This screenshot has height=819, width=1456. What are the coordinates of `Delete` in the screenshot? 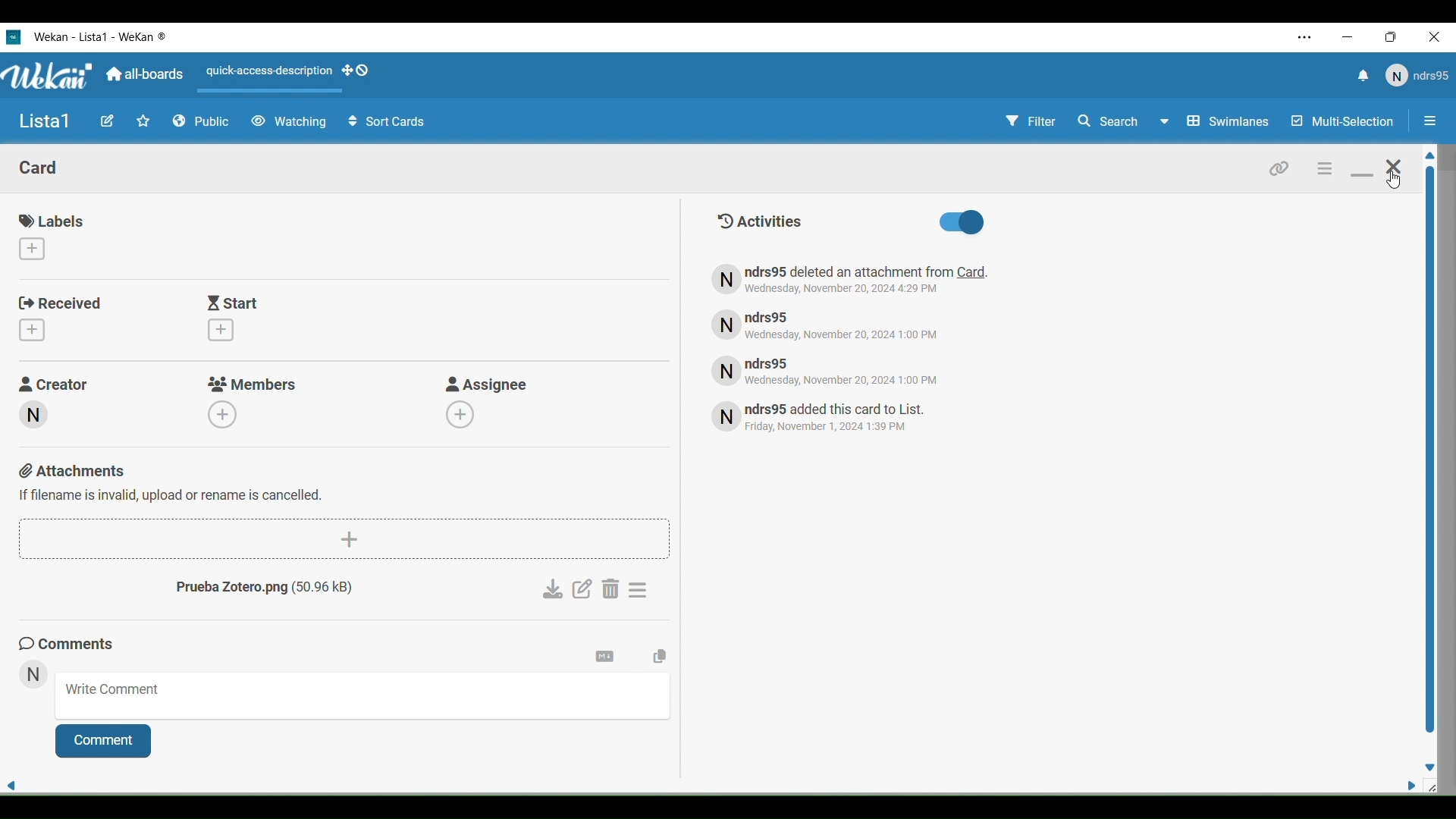 It's located at (604, 590).